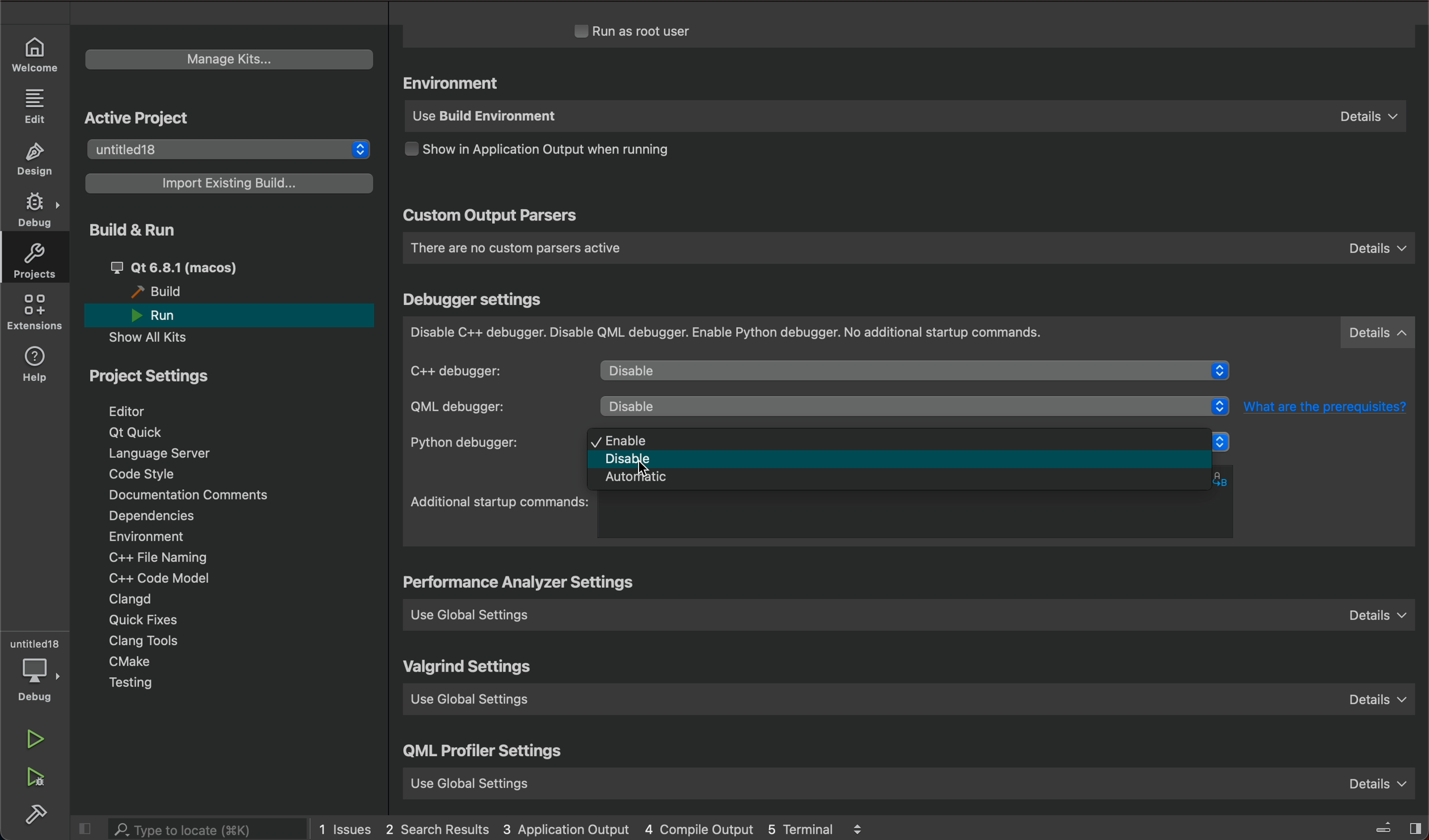 This screenshot has height=840, width=1429. I want to click on settings, so click(523, 584).